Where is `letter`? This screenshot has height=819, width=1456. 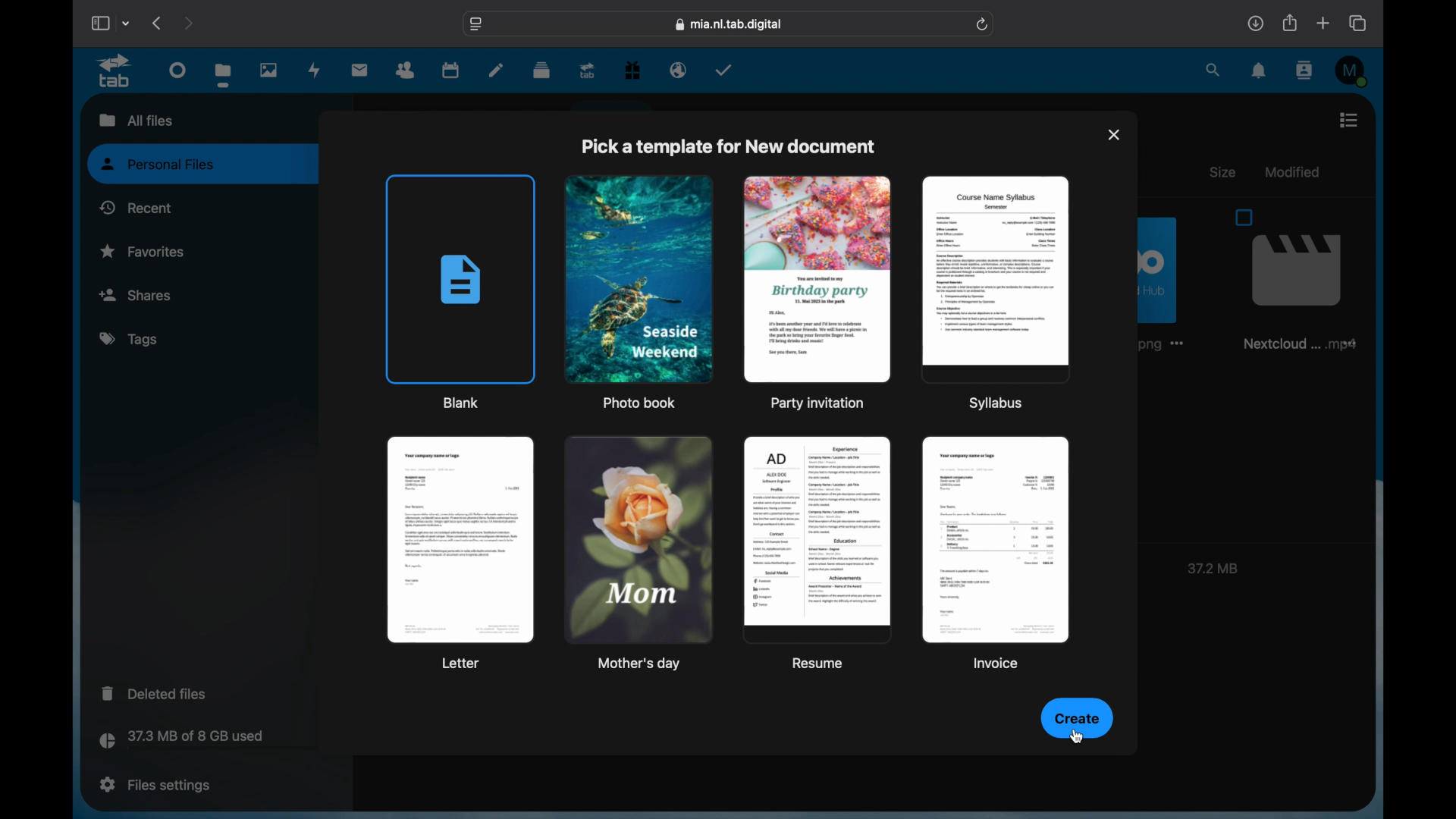 letter is located at coordinates (463, 552).